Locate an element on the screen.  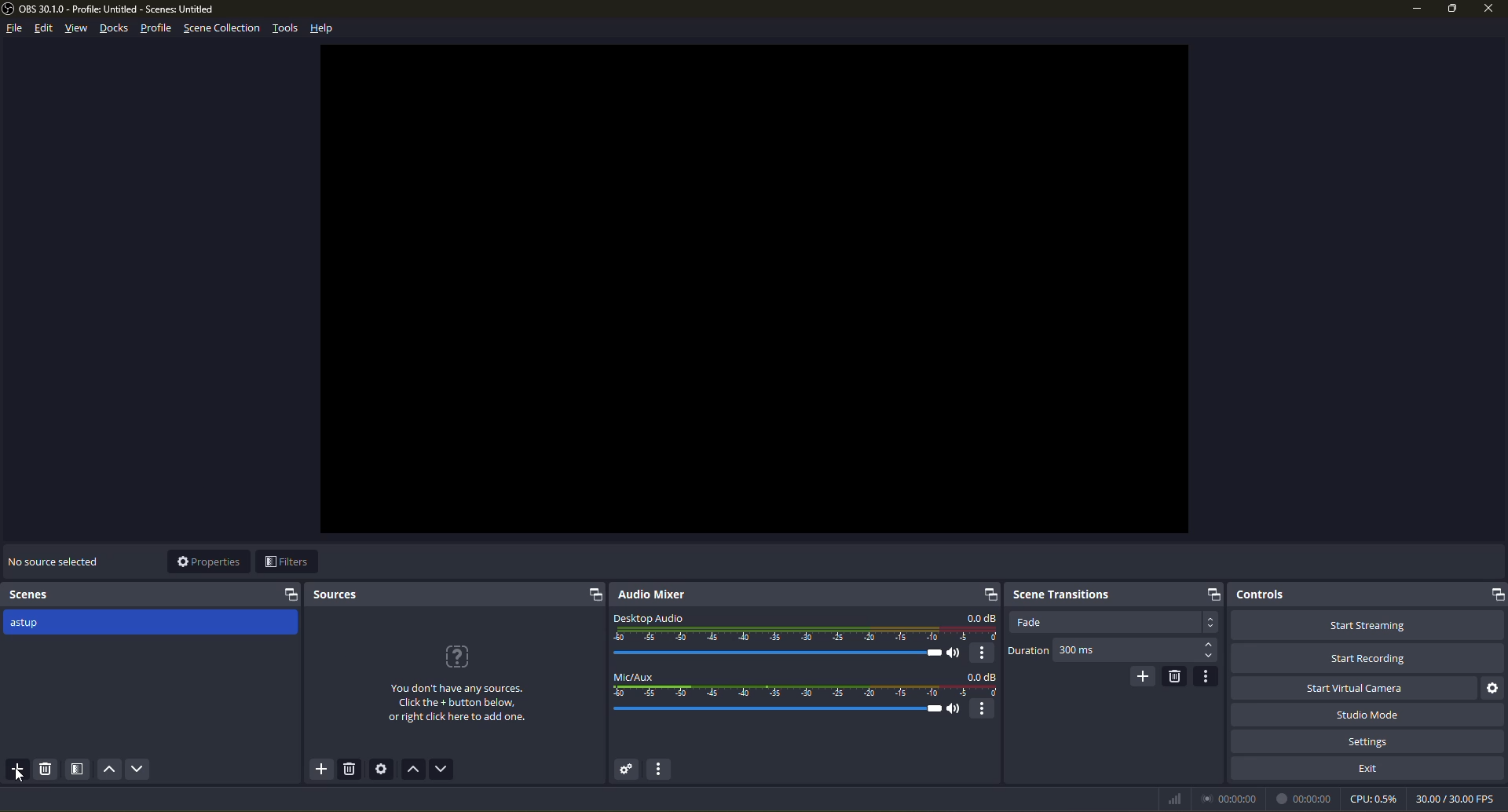
expand is located at coordinates (594, 594).